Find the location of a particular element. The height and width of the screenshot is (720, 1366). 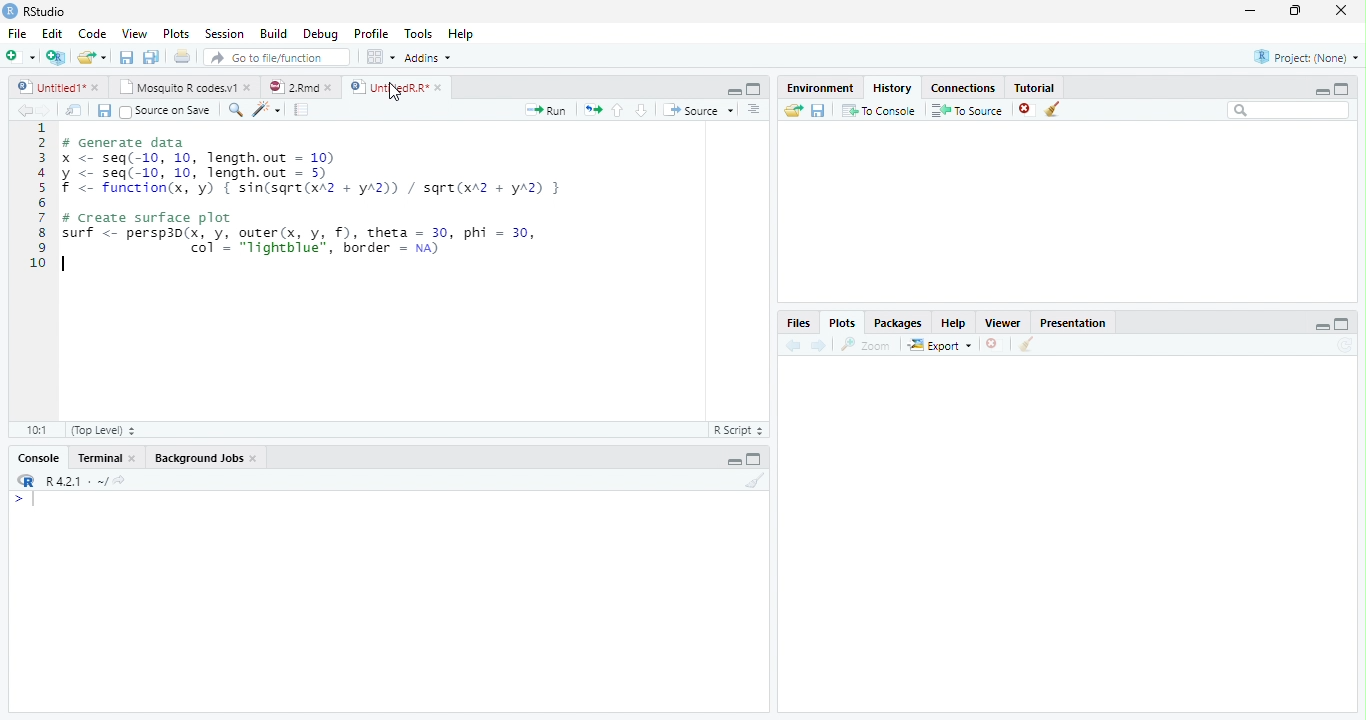

Debug is located at coordinates (320, 33).